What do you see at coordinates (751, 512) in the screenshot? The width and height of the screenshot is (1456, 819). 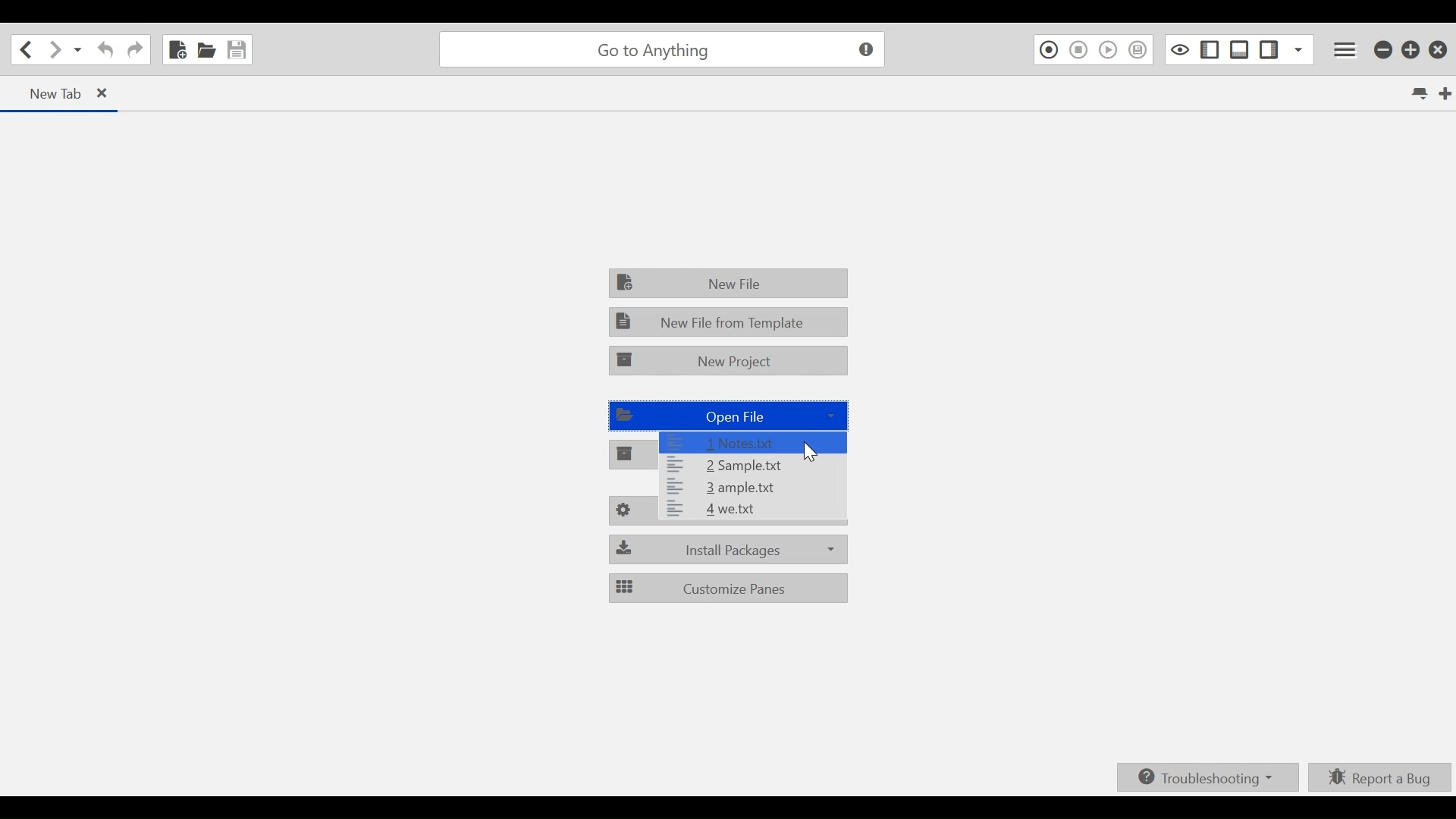 I see `4 we.txt` at bounding box center [751, 512].